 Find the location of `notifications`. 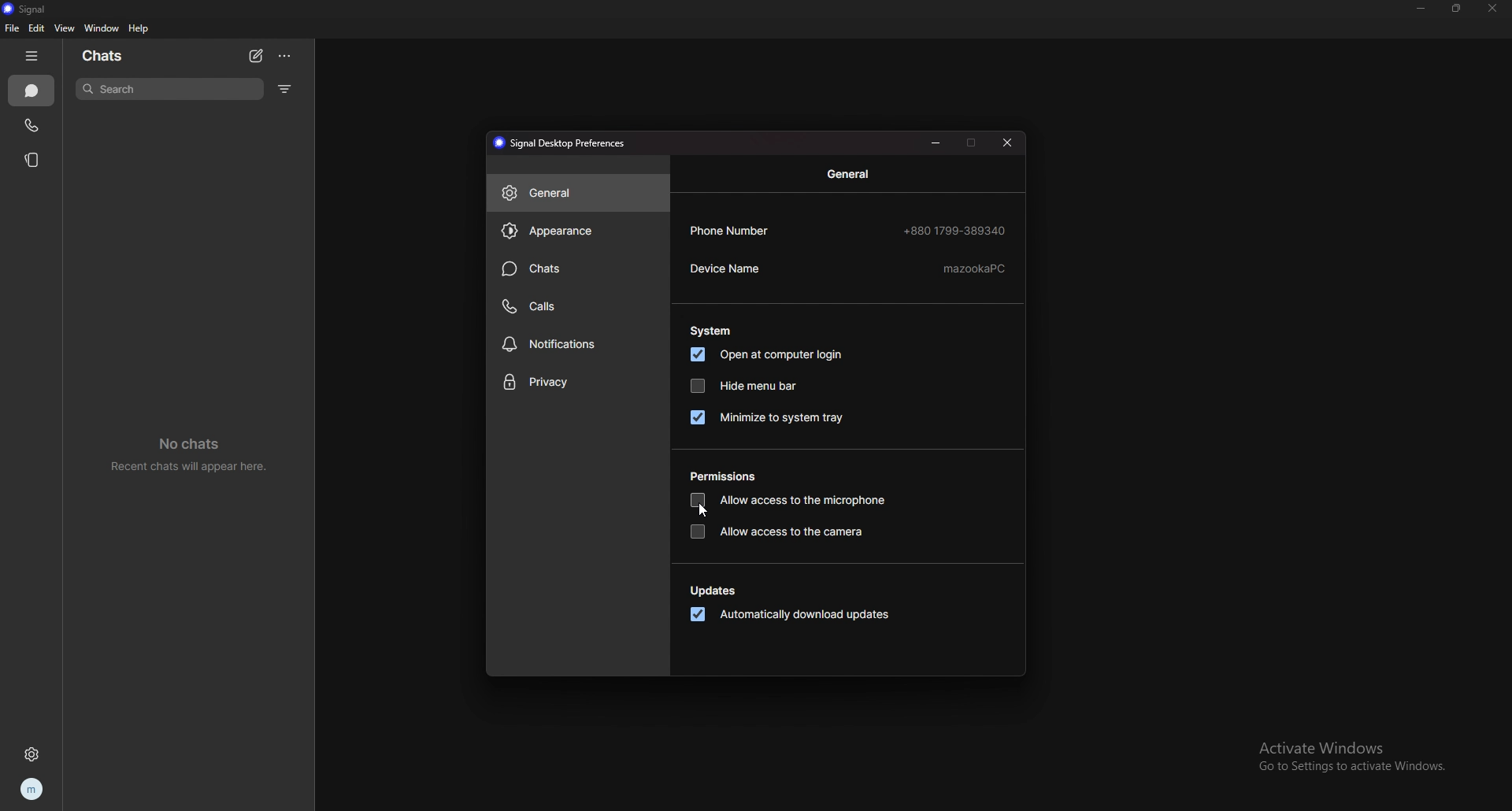

notifications is located at coordinates (576, 343).